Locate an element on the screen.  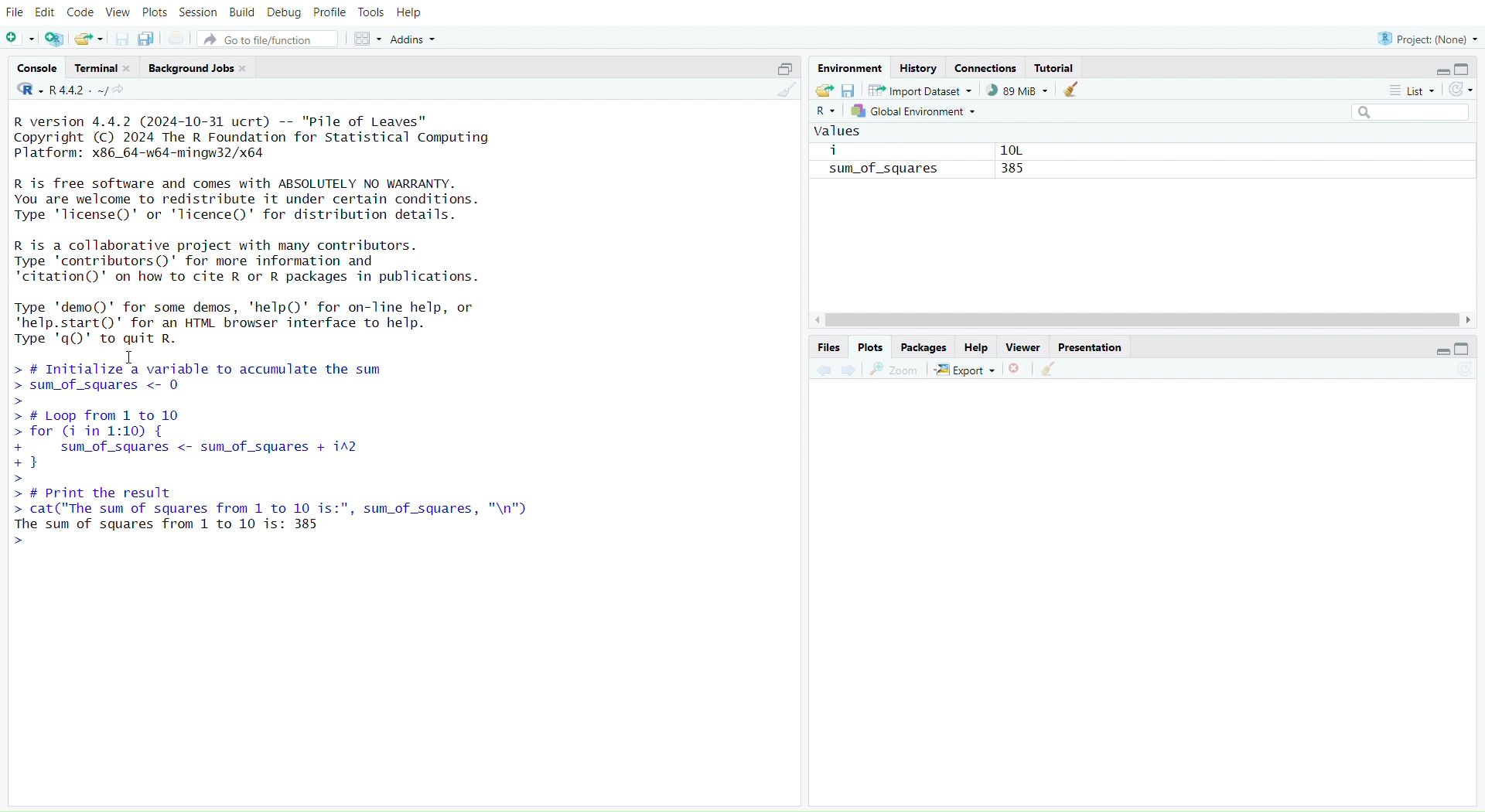
files is located at coordinates (829, 346).